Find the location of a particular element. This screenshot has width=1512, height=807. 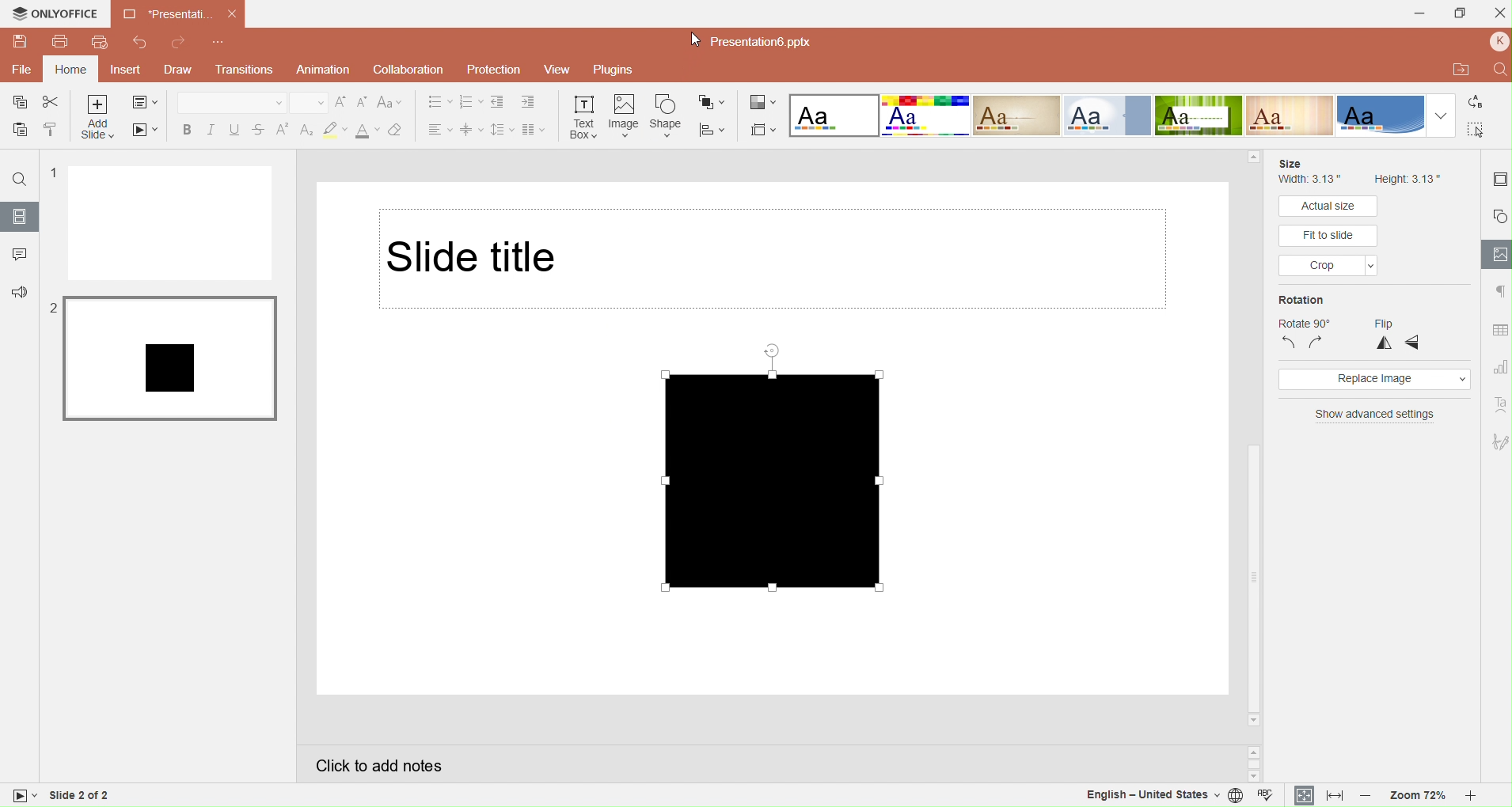

Paragraph setting is located at coordinates (1498, 292).